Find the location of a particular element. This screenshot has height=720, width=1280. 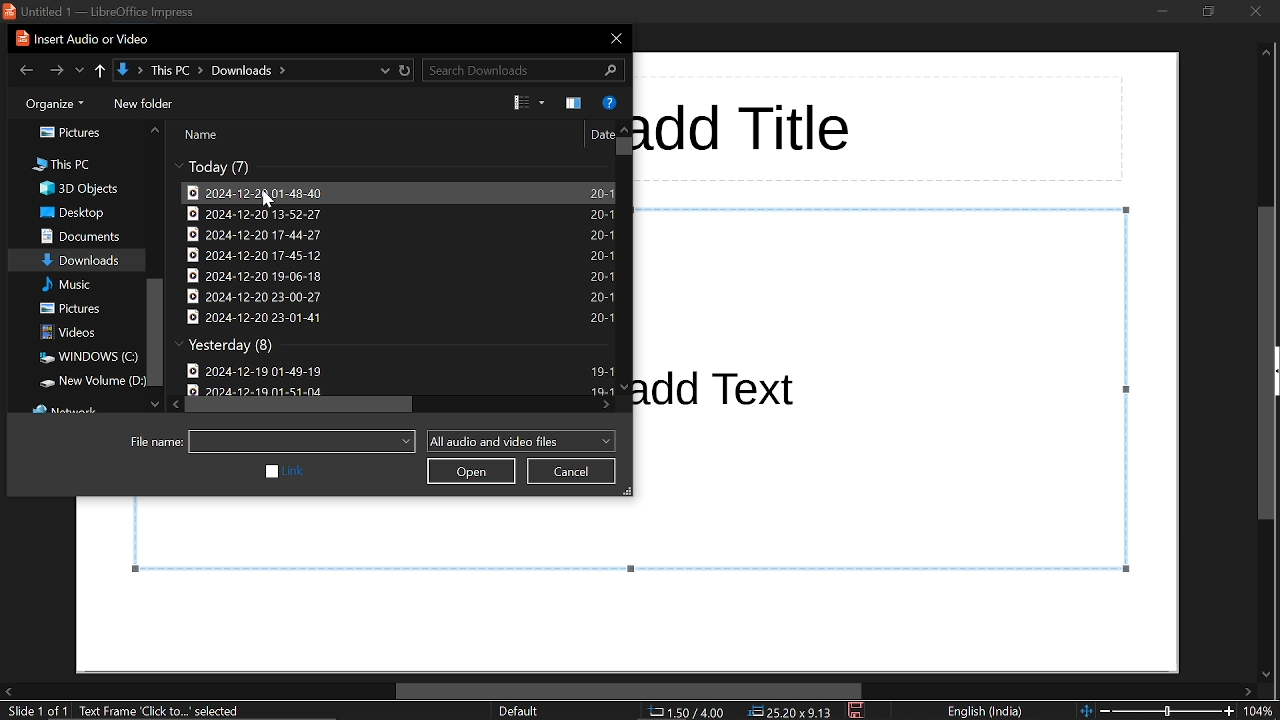

vretical scrollbar is located at coordinates (155, 333).